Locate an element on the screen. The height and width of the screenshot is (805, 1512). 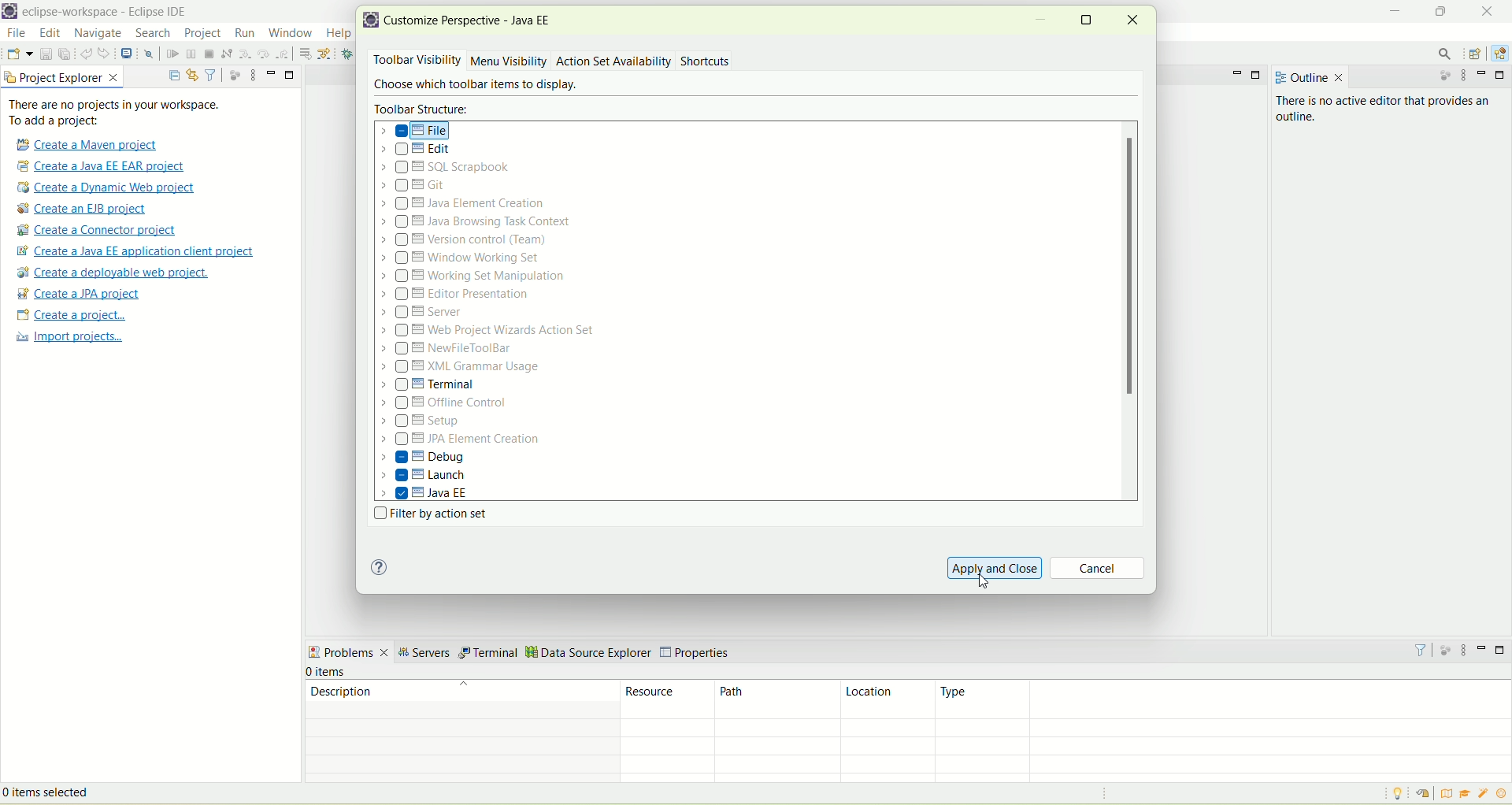
file is located at coordinates (17, 33).